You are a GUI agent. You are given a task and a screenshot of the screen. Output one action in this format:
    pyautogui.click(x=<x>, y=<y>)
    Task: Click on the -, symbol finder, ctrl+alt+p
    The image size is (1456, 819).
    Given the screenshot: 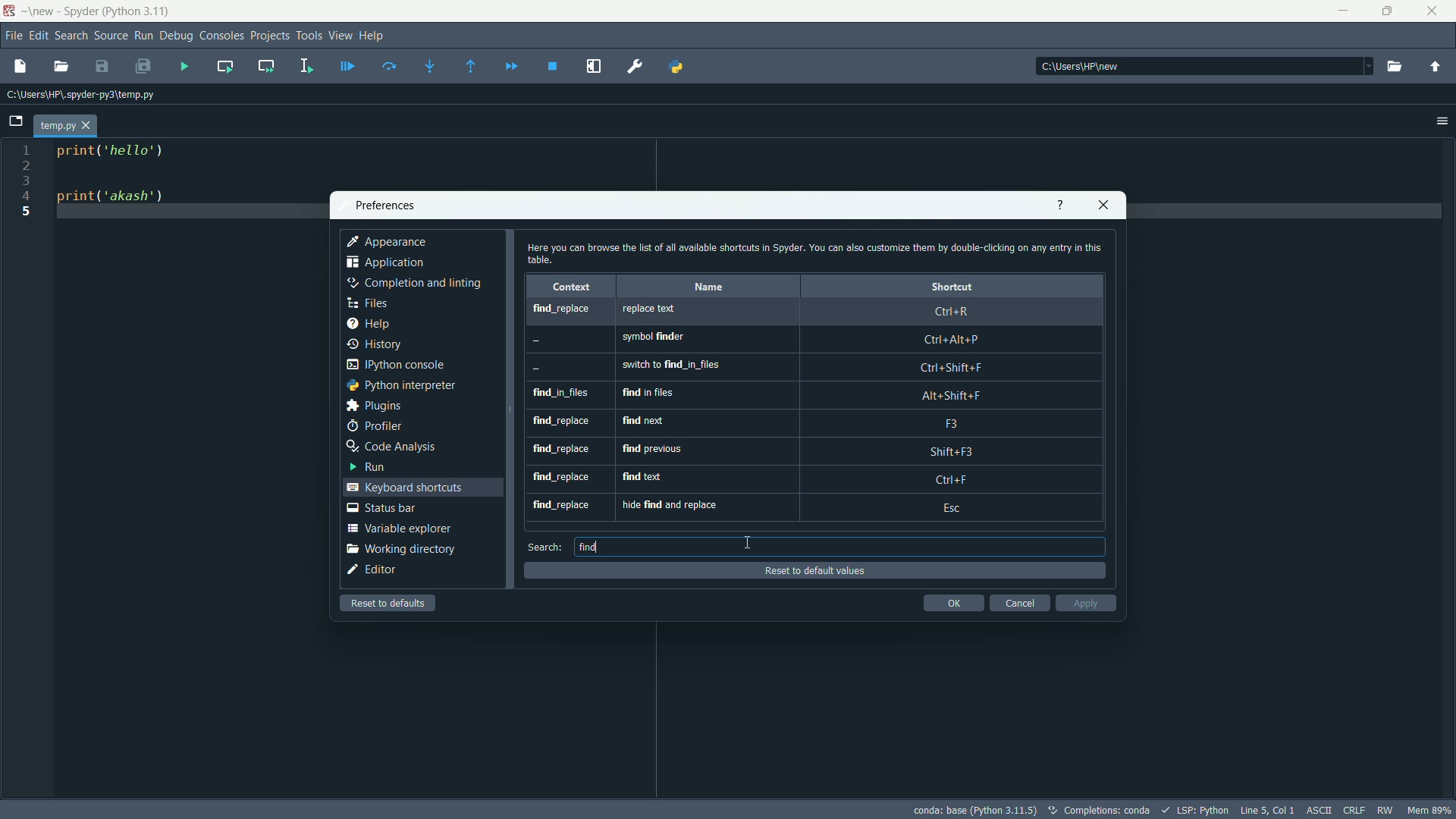 What is the action you would take?
    pyautogui.click(x=798, y=340)
    